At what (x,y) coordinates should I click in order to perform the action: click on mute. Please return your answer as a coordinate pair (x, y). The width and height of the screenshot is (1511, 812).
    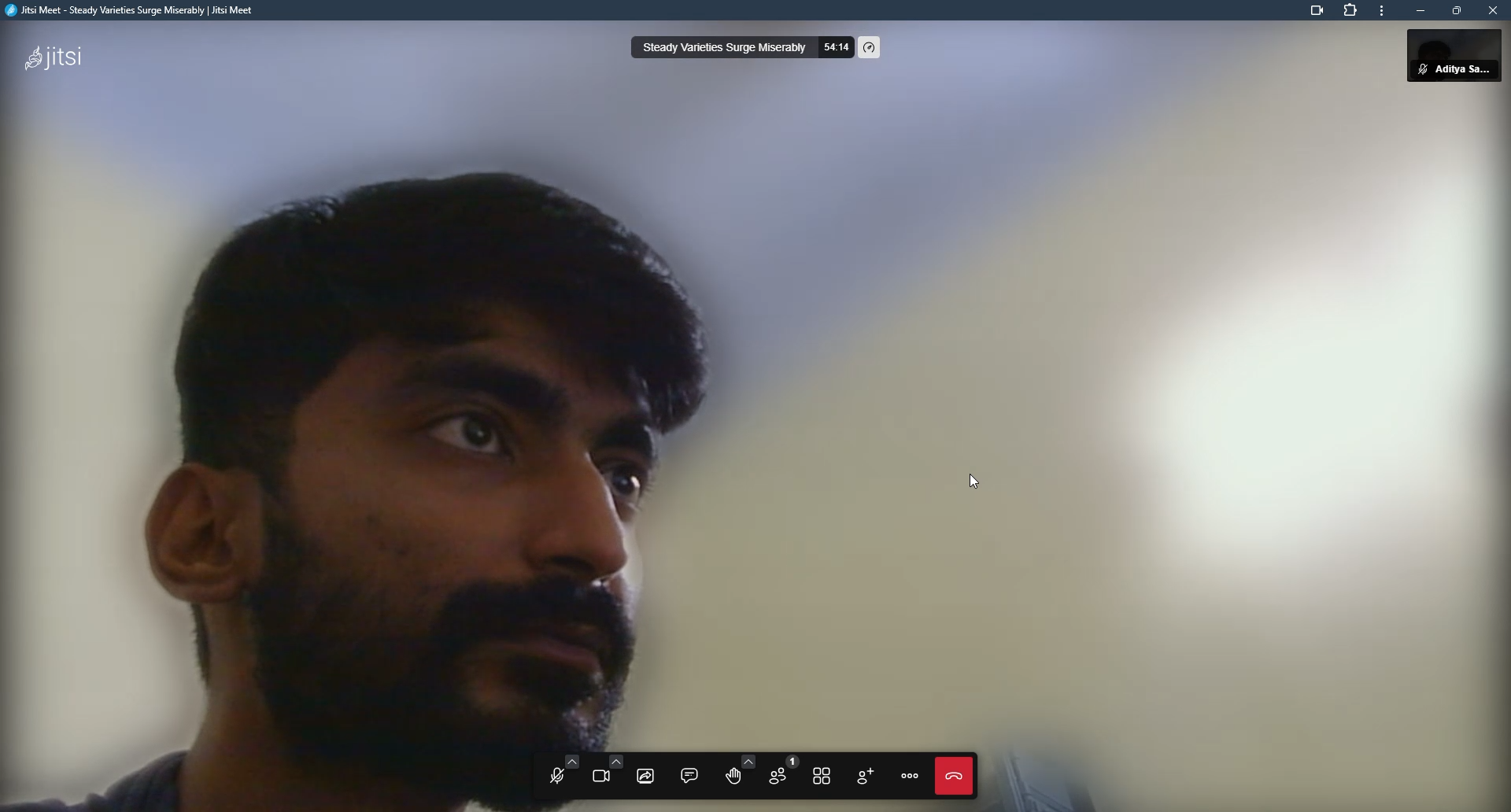
    Looking at the image, I should click on (1419, 70).